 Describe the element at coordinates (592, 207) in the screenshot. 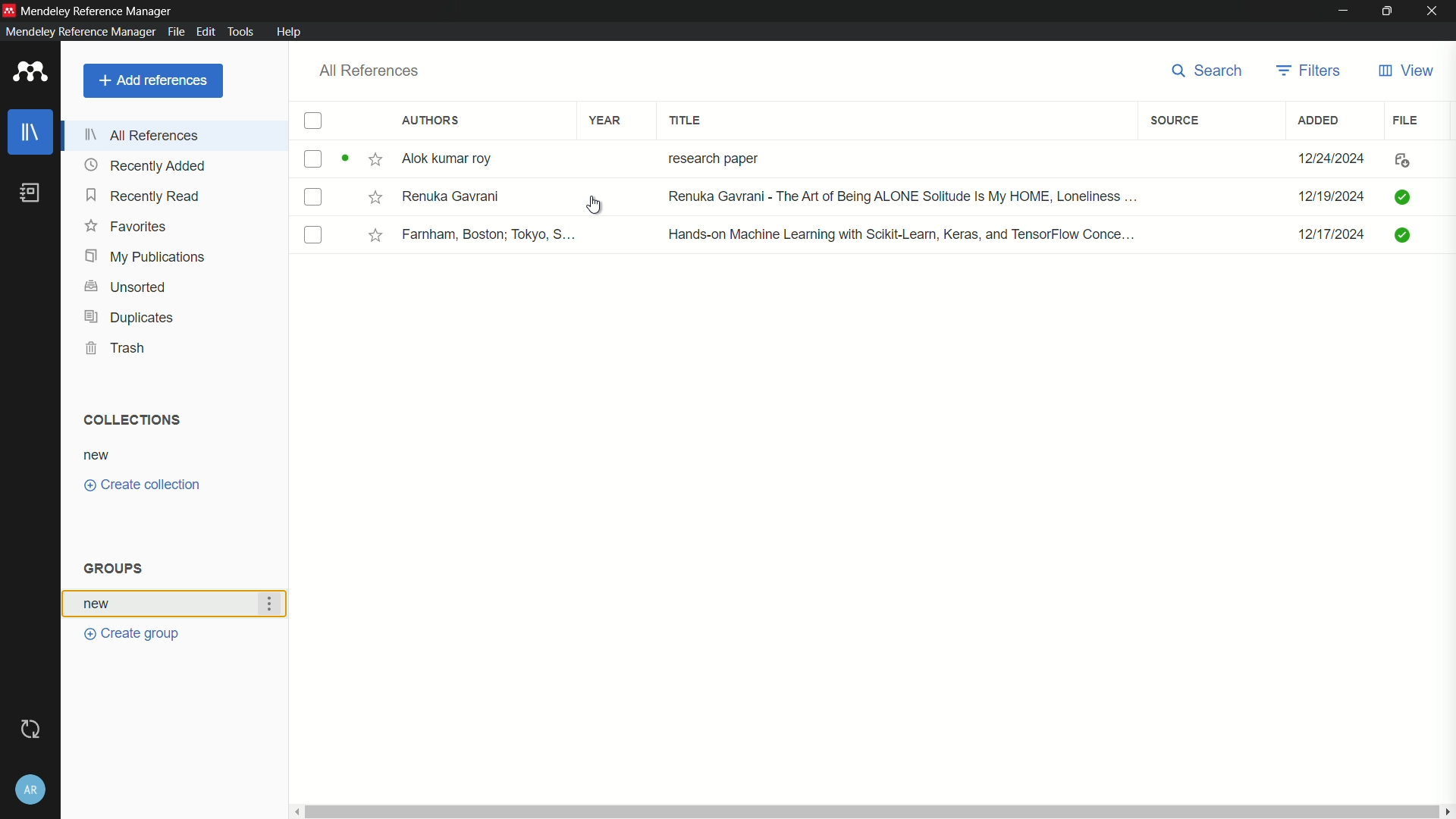

I see `cursor` at that location.